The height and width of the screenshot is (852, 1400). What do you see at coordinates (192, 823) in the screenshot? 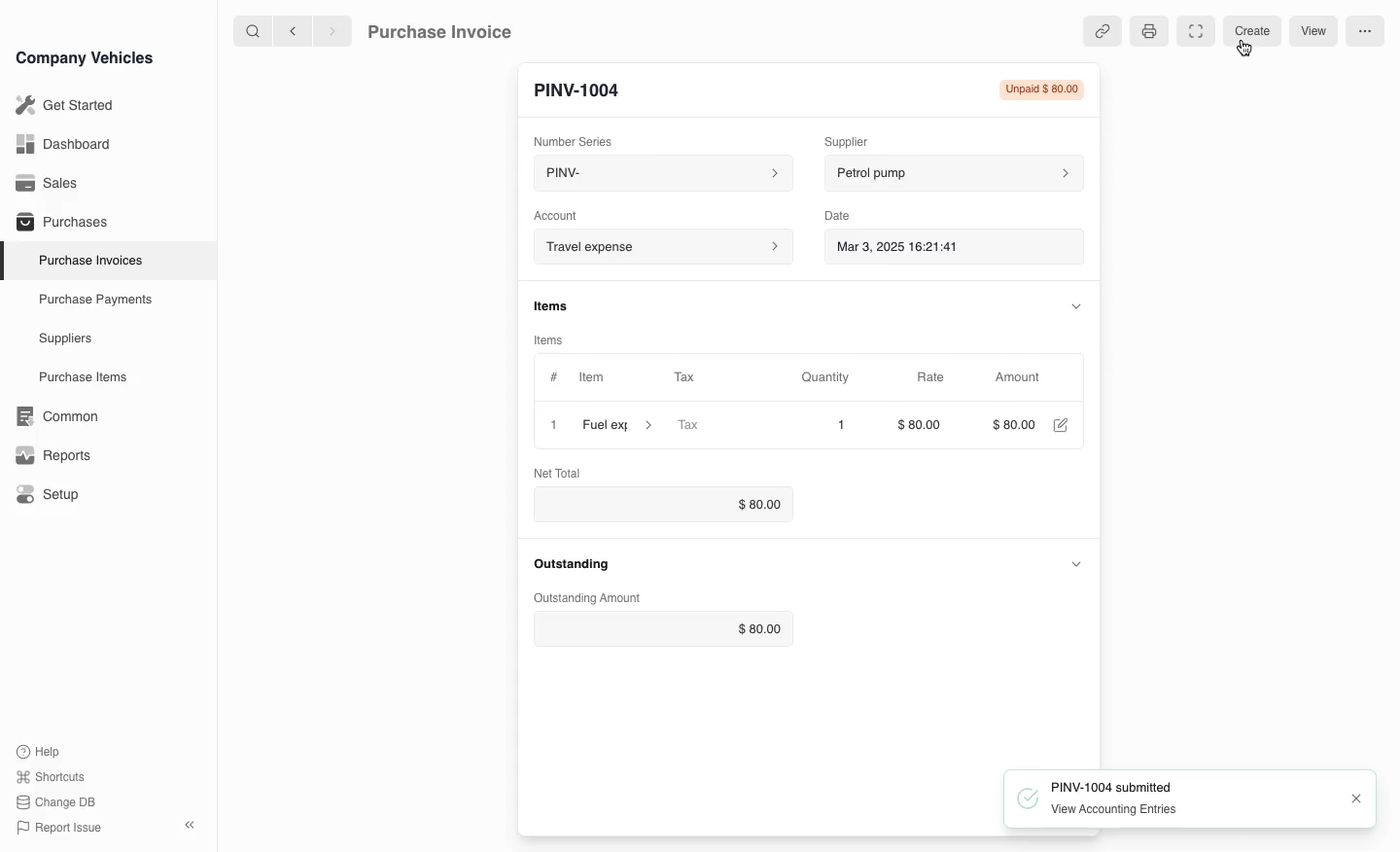
I see `close sidebar` at bounding box center [192, 823].